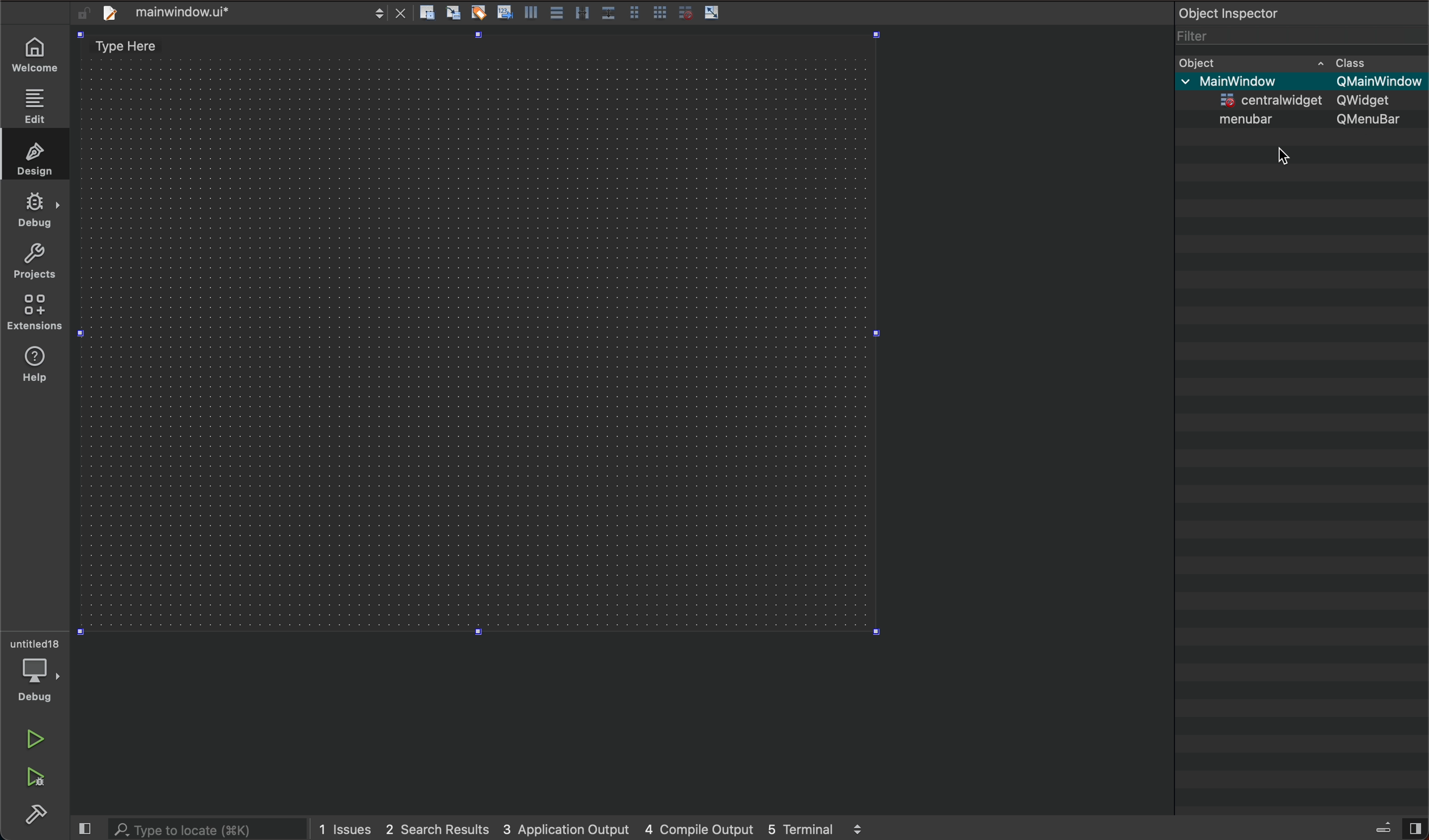 The image size is (1429, 840). What do you see at coordinates (81, 12) in the screenshot?
I see `unlocked` at bounding box center [81, 12].